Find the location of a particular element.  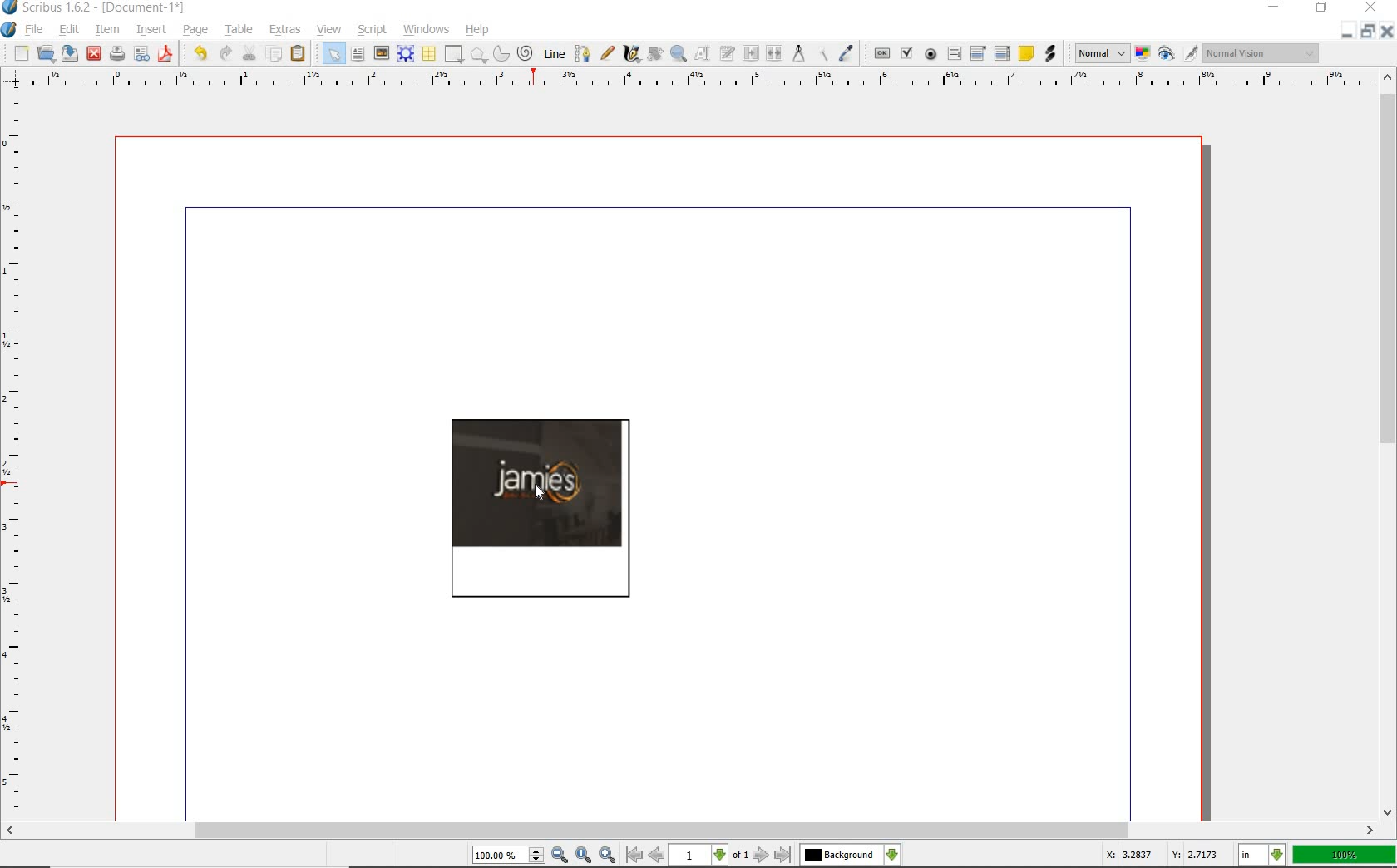

windows is located at coordinates (427, 29).